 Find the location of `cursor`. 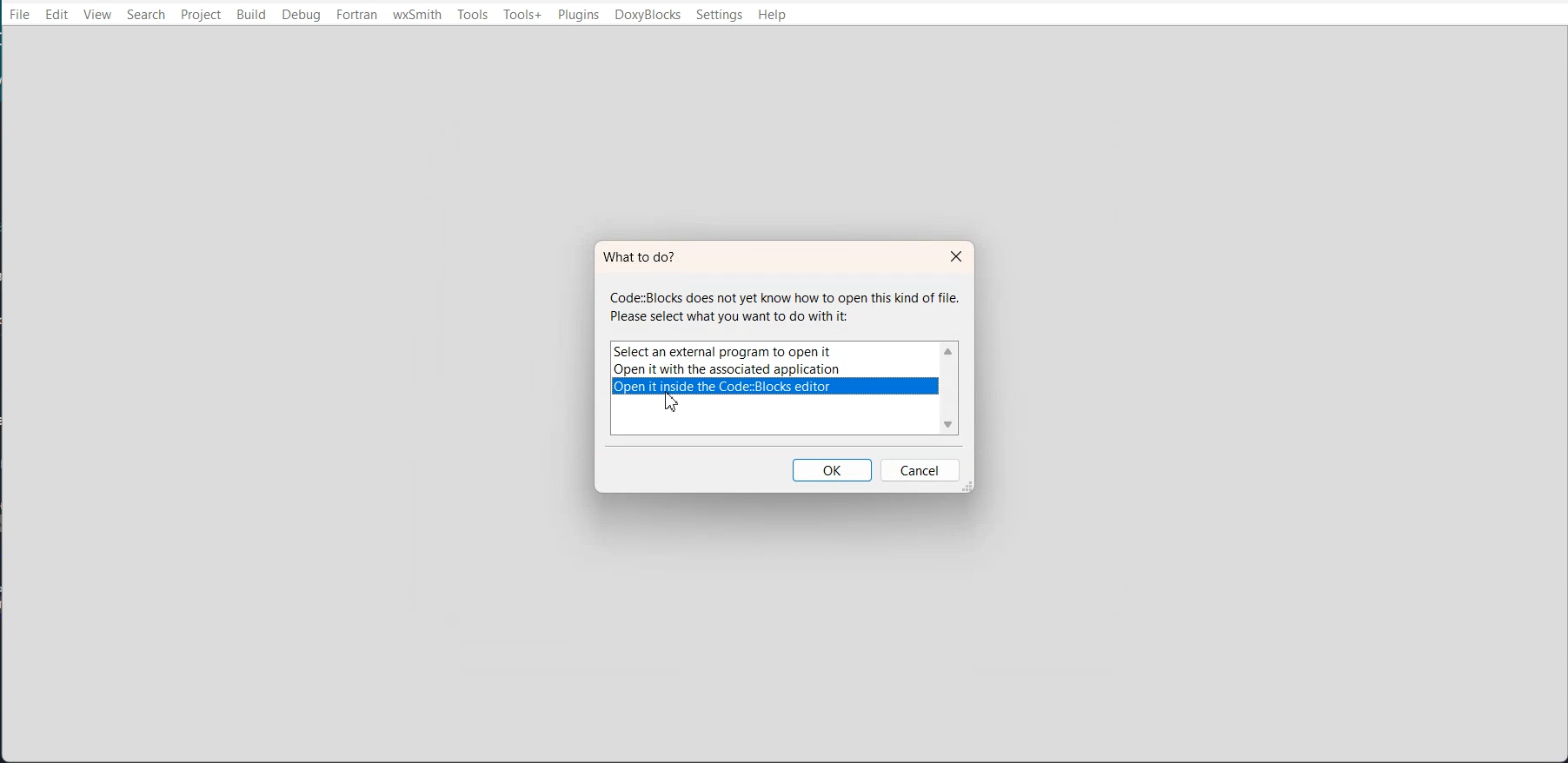

cursor is located at coordinates (671, 400).